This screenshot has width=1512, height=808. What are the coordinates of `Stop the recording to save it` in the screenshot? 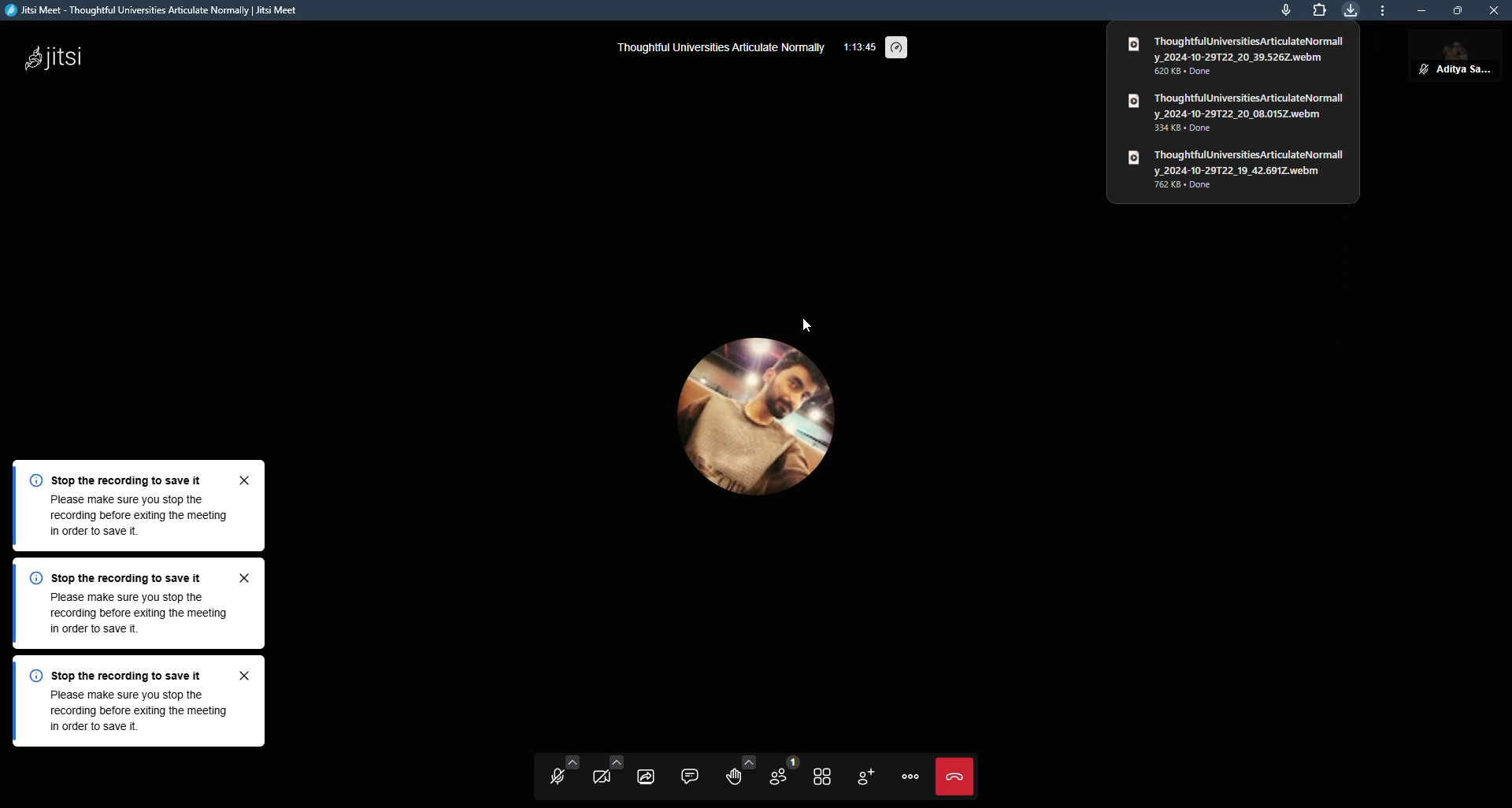 It's located at (128, 476).